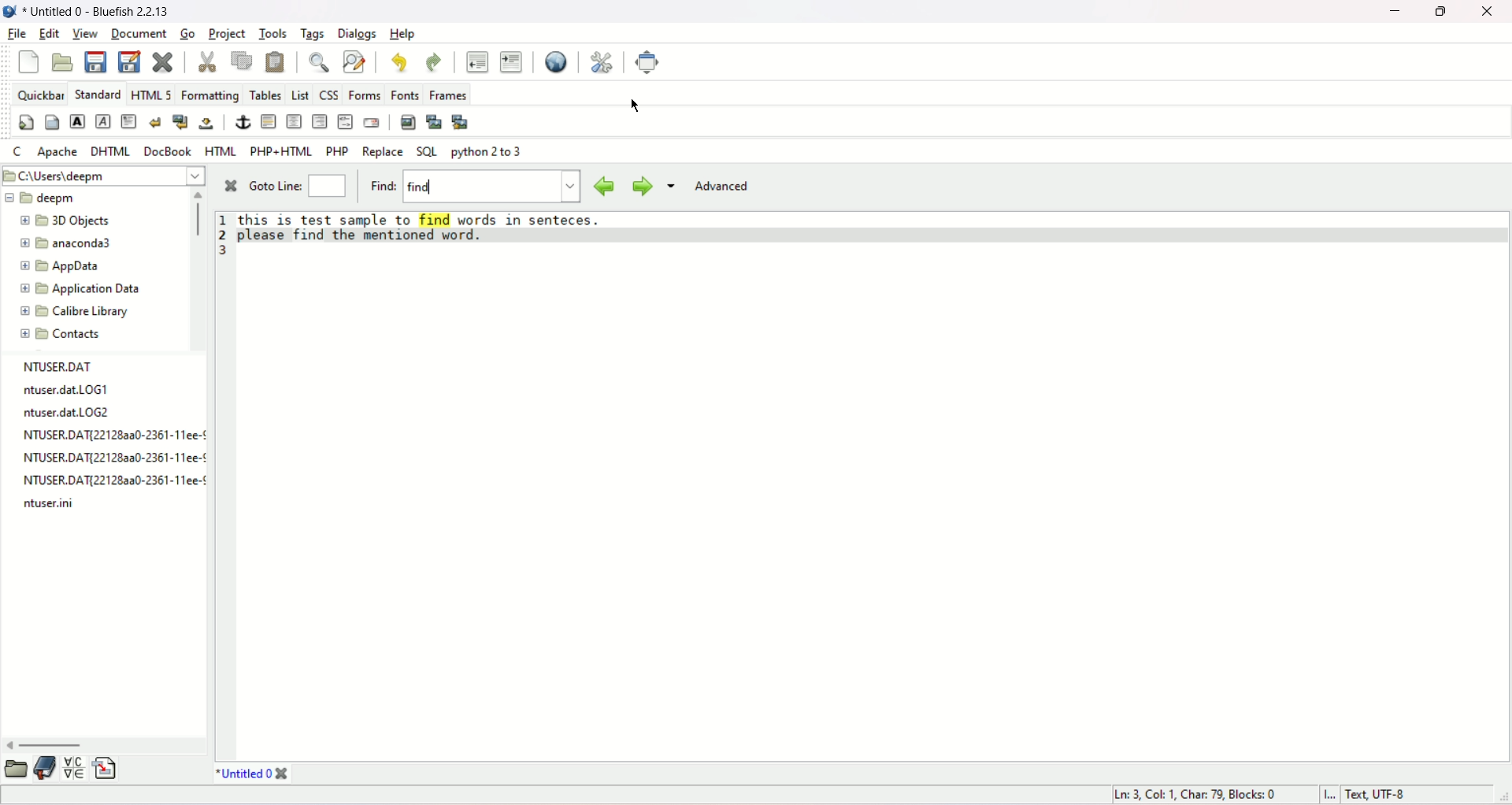 The width and height of the screenshot is (1512, 805). What do you see at coordinates (1326, 793) in the screenshot?
I see `Insert mode` at bounding box center [1326, 793].